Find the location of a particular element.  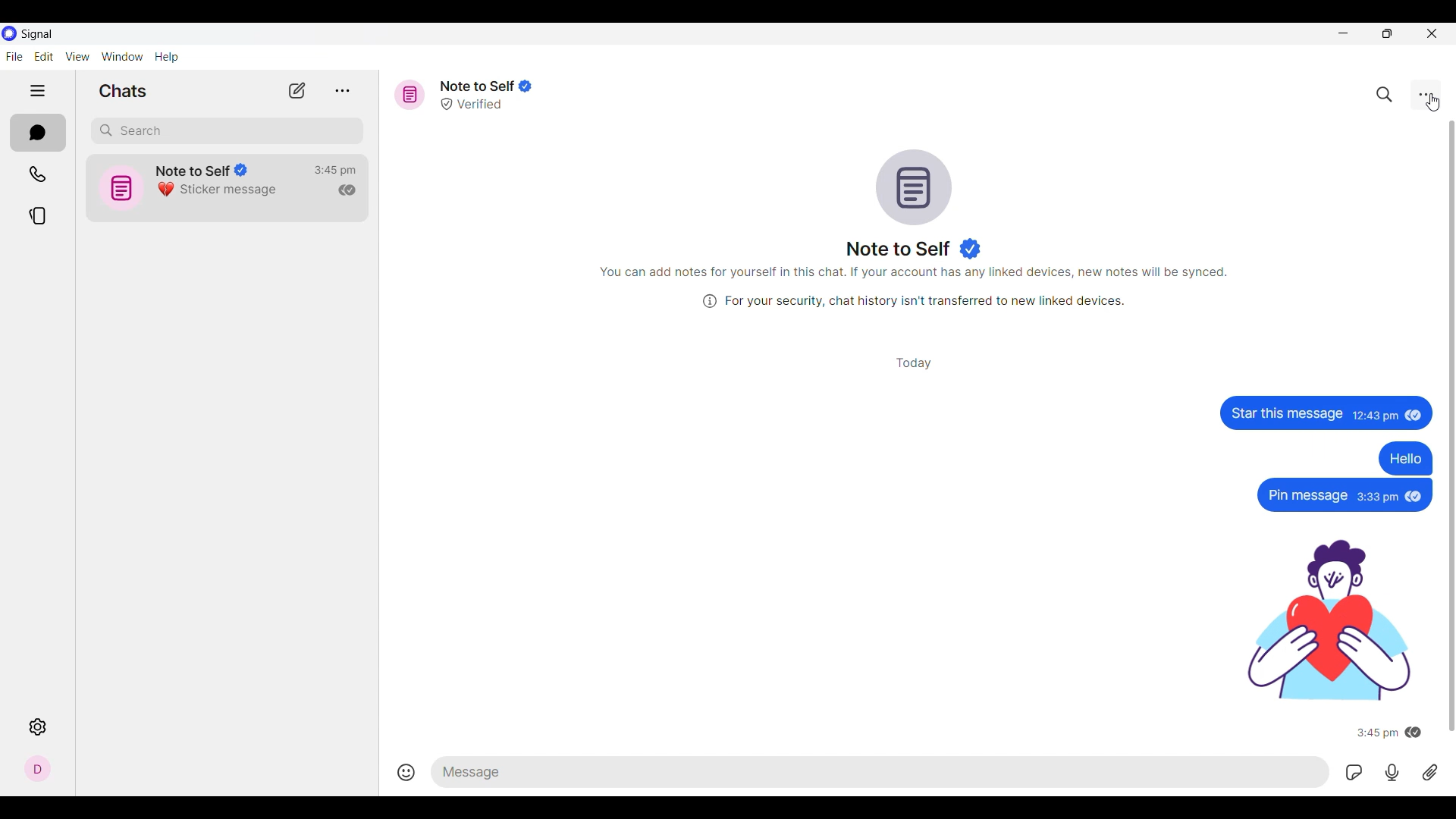

3:33pm is located at coordinates (1378, 494).